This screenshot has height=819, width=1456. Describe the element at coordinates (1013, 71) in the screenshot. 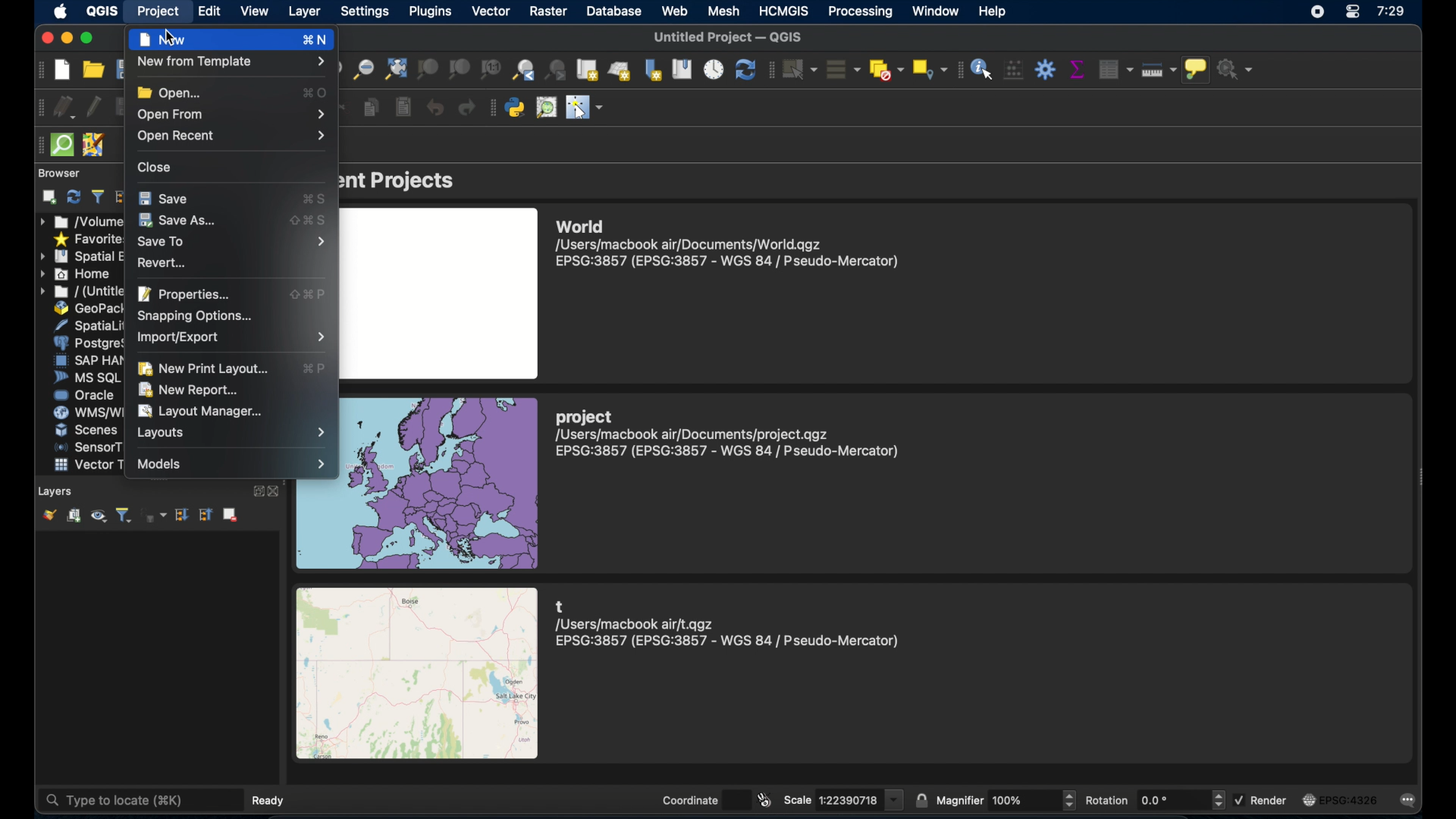

I see `open field calculator` at that location.